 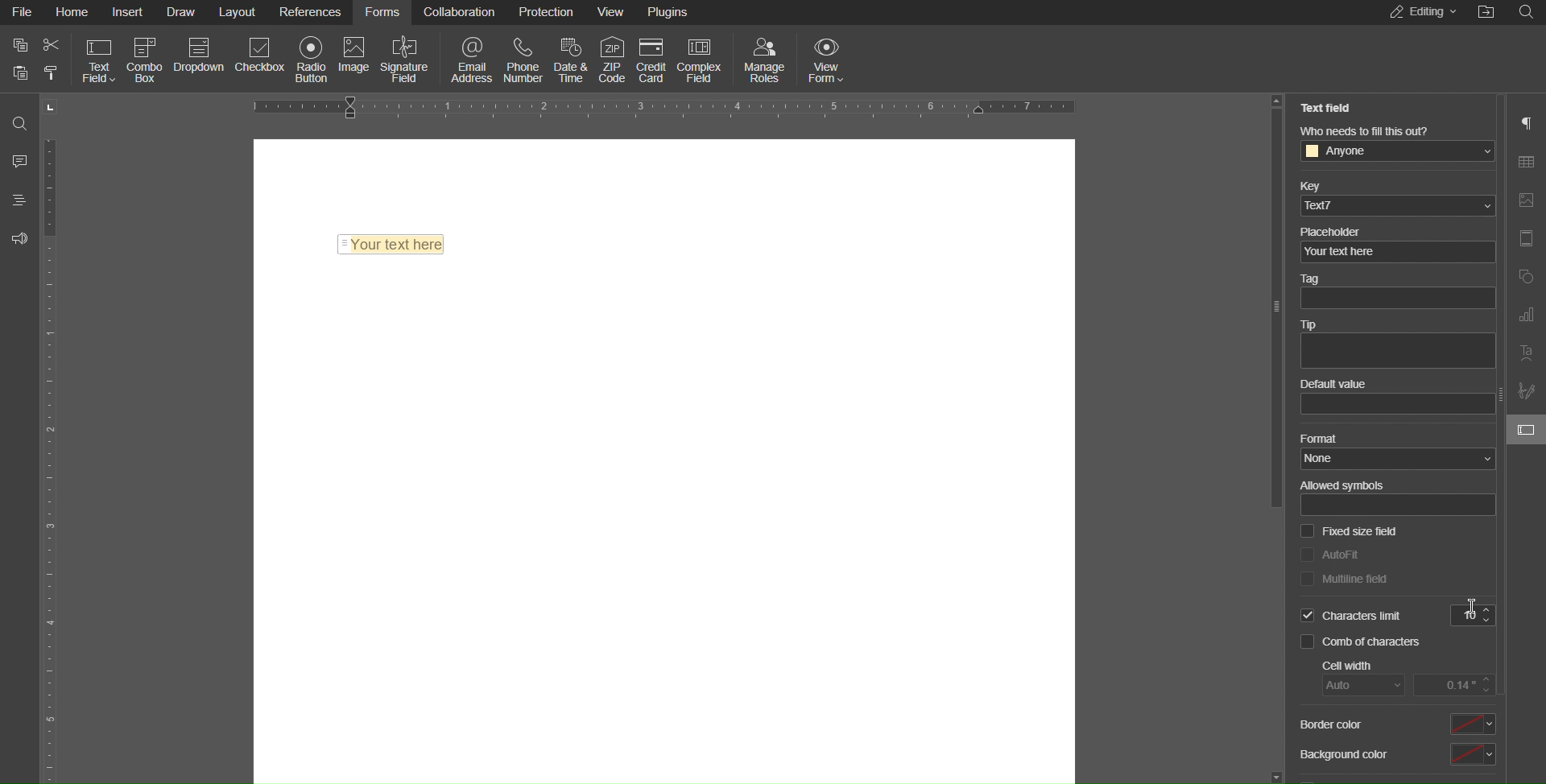 What do you see at coordinates (1348, 532) in the screenshot?
I see `Fixed size field` at bounding box center [1348, 532].